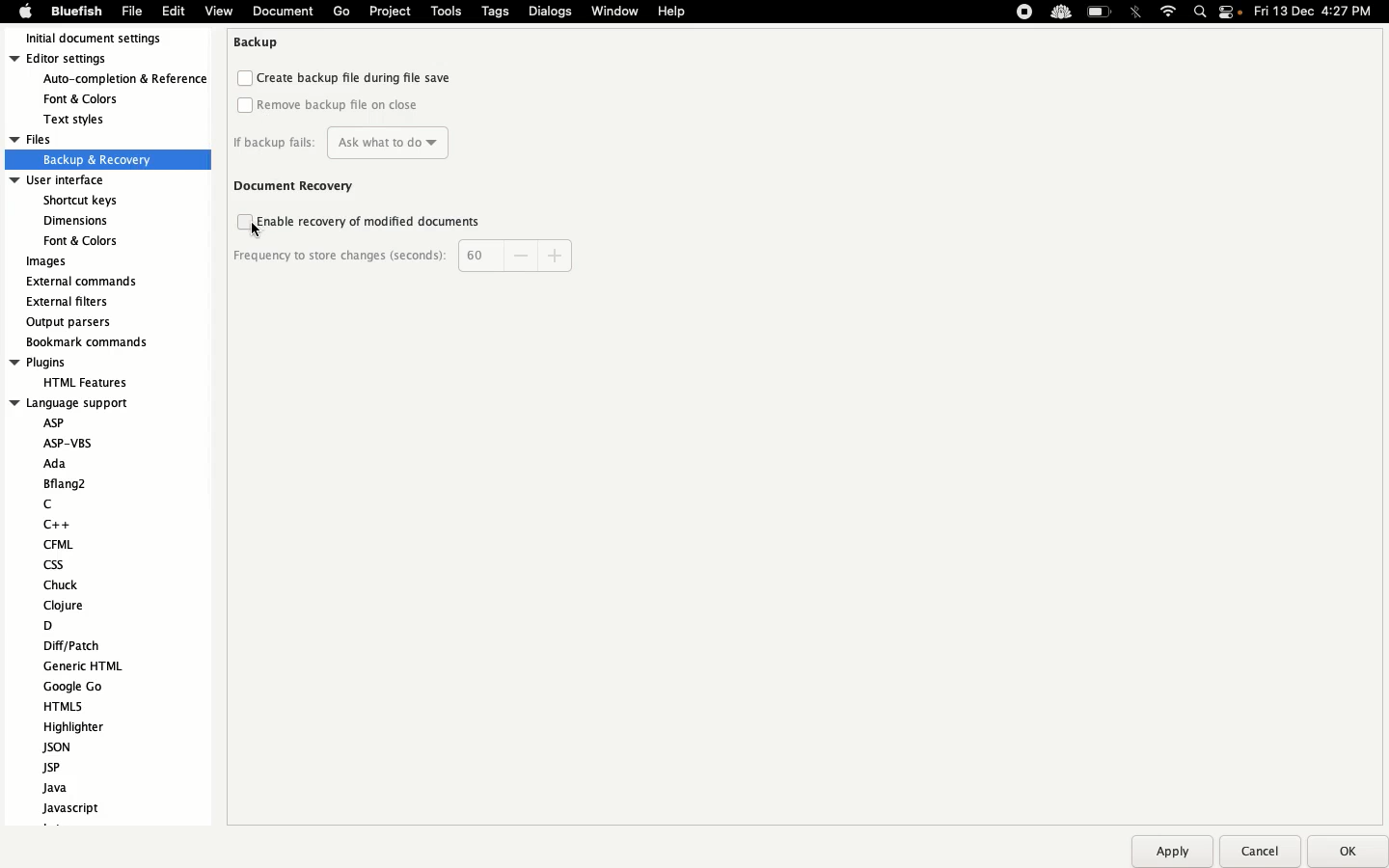  What do you see at coordinates (1347, 852) in the screenshot?
I see `Ok` at bounding box center [1347, 852].